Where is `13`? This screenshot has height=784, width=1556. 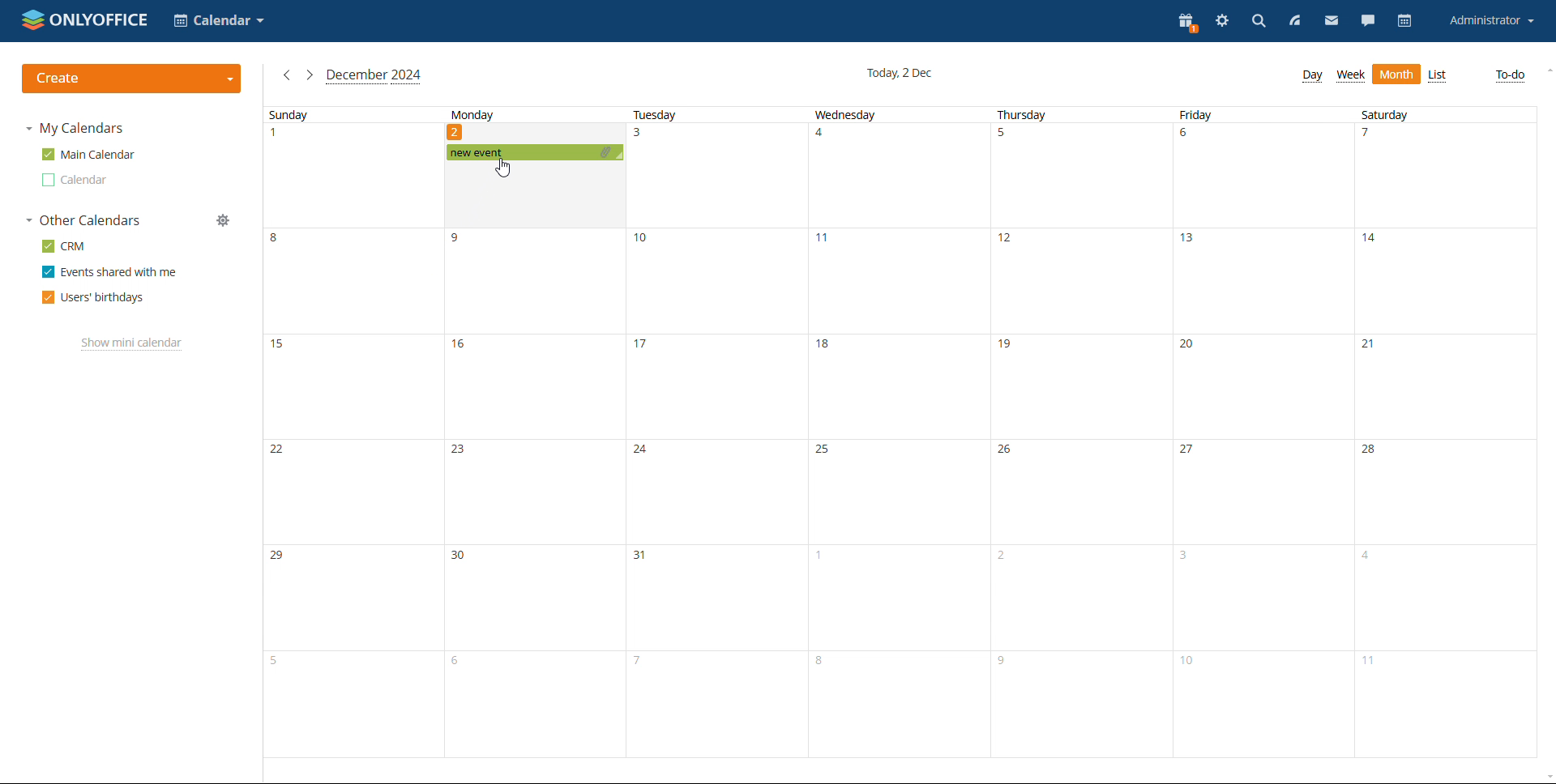 13 is located at coordinates (1191, 244).